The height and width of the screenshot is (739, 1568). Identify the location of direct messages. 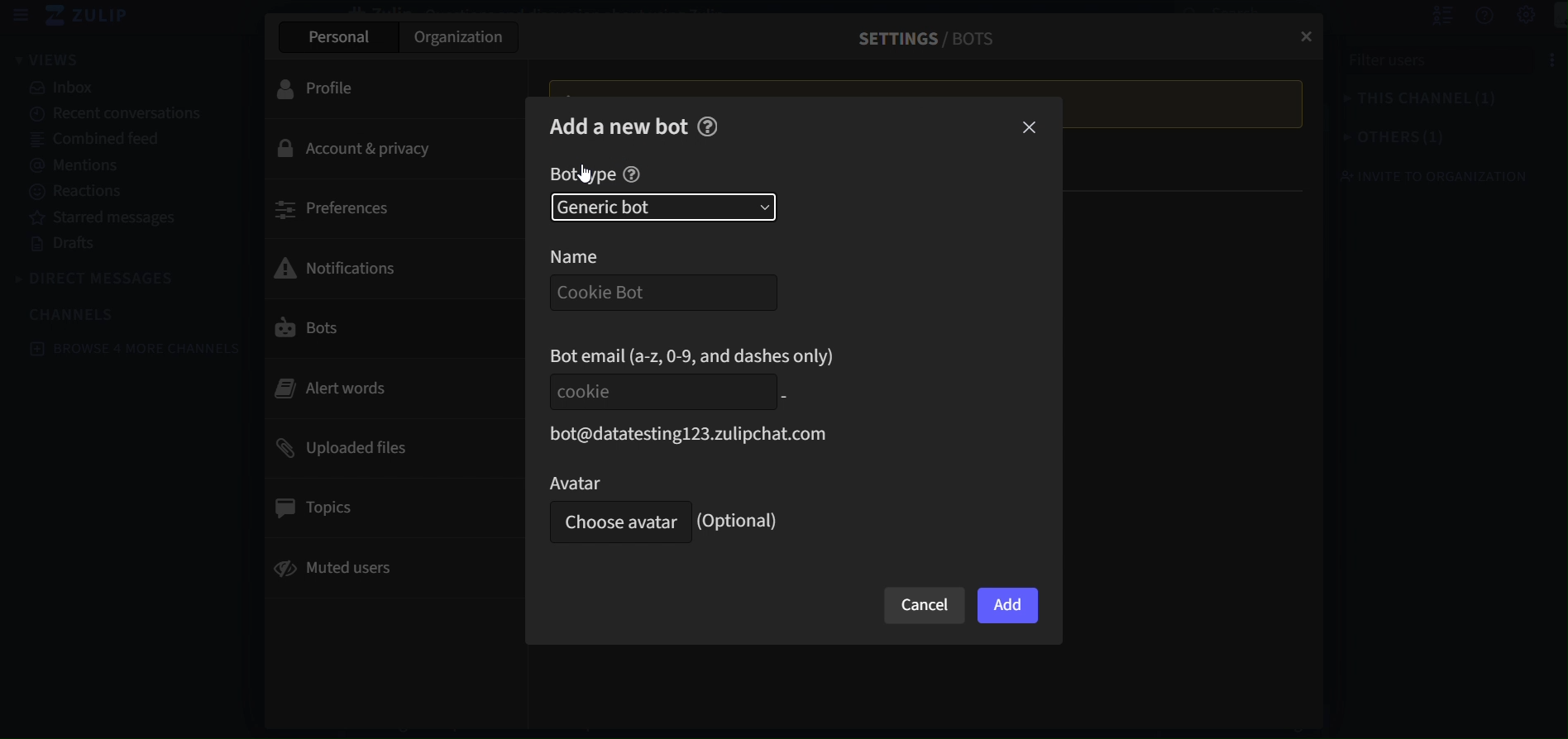
(100, 279).